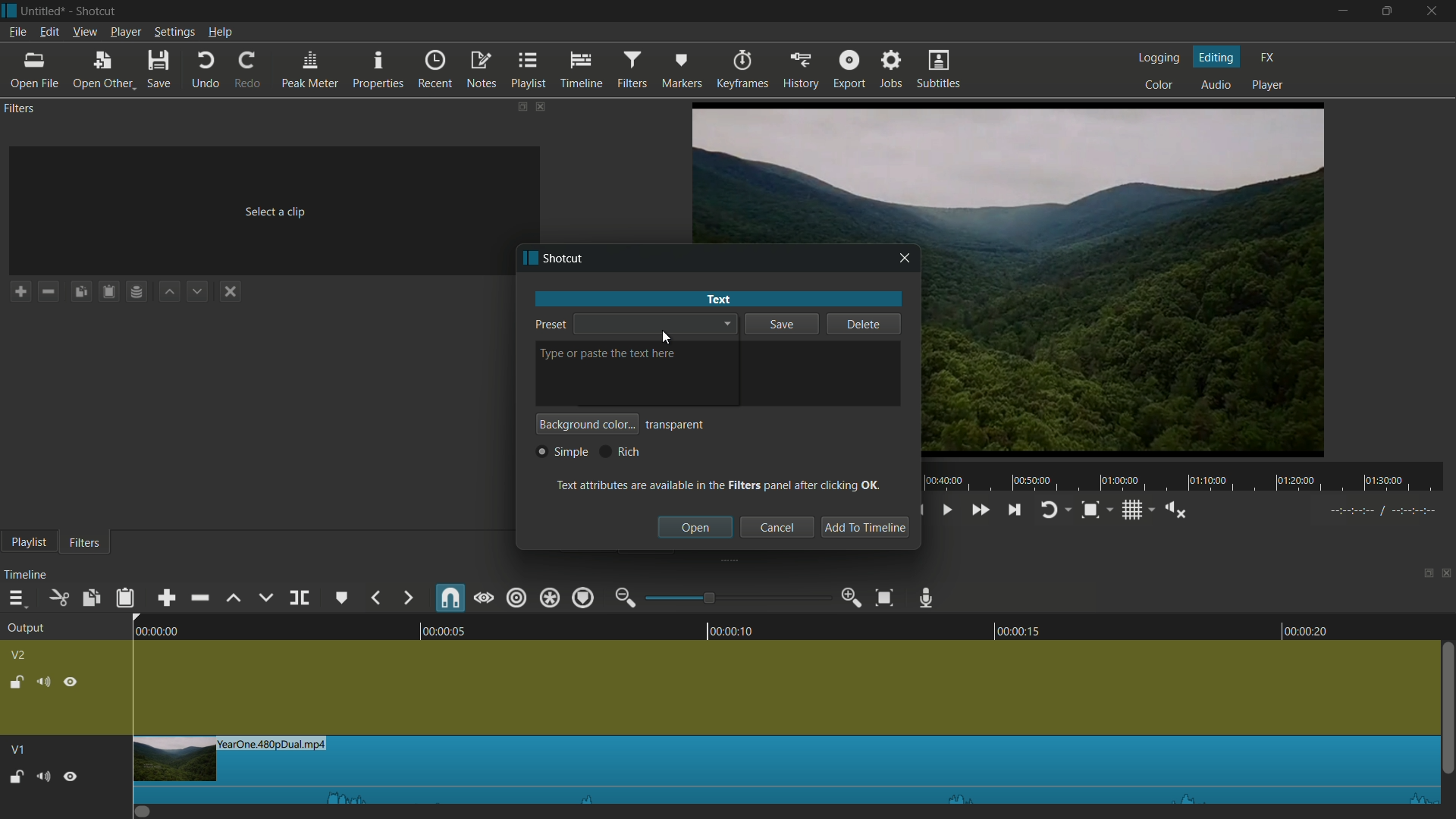 The width and height of the screenshot is (1456, 819). I want to click on type or paste the text here, so click(610, 355).